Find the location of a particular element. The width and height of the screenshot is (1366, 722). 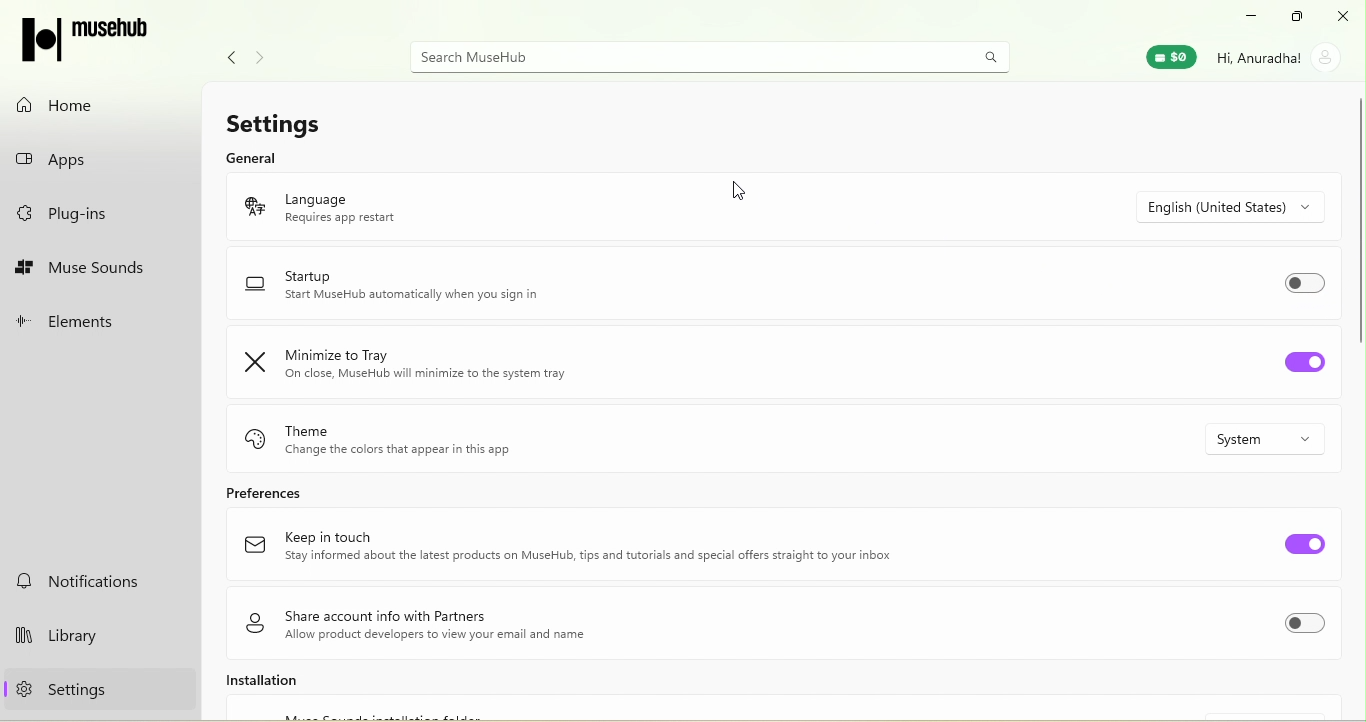

Prefernces is located at coordinates (302, 493).